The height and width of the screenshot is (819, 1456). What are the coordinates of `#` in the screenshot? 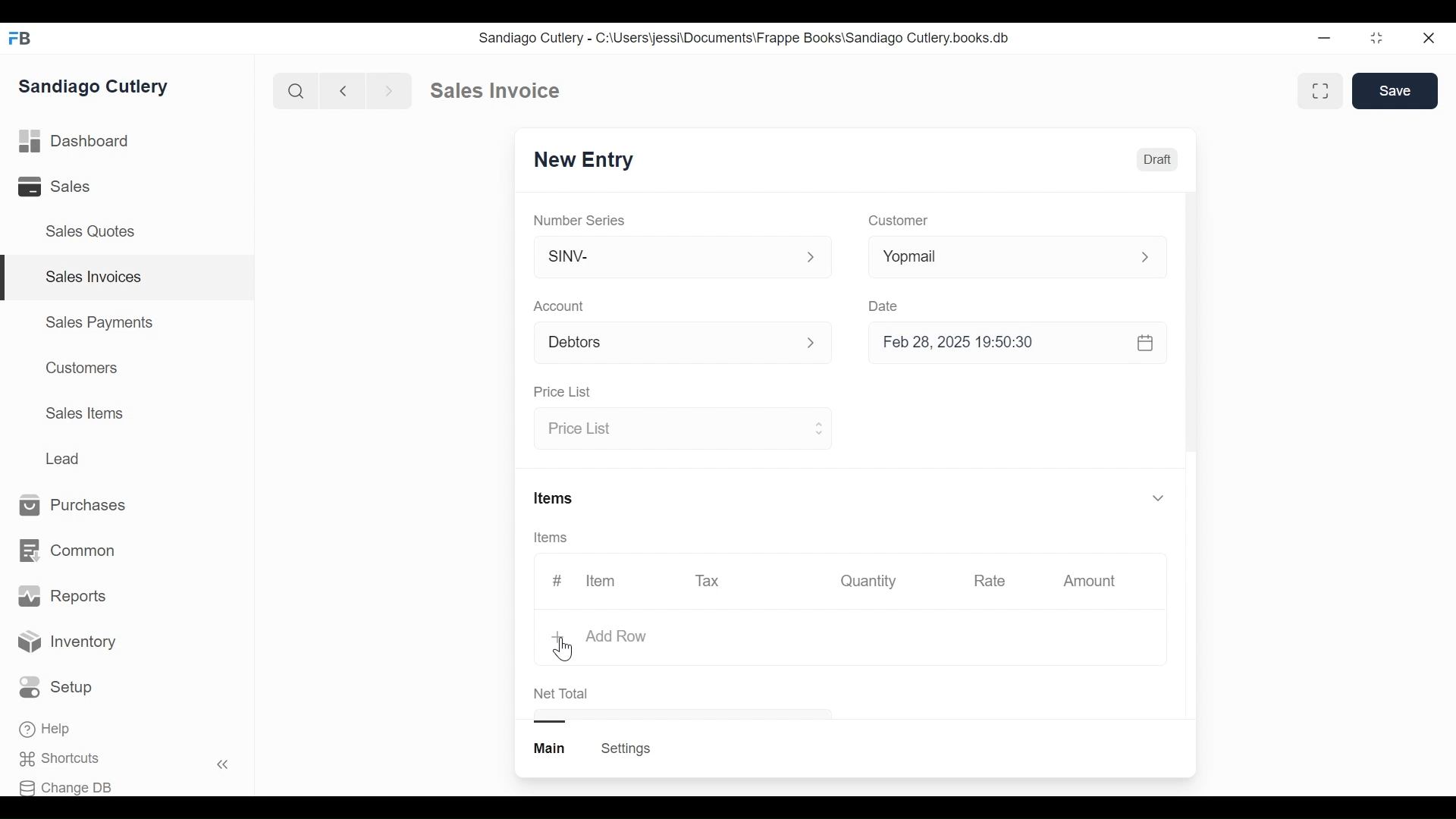 It's located at (557, 579).